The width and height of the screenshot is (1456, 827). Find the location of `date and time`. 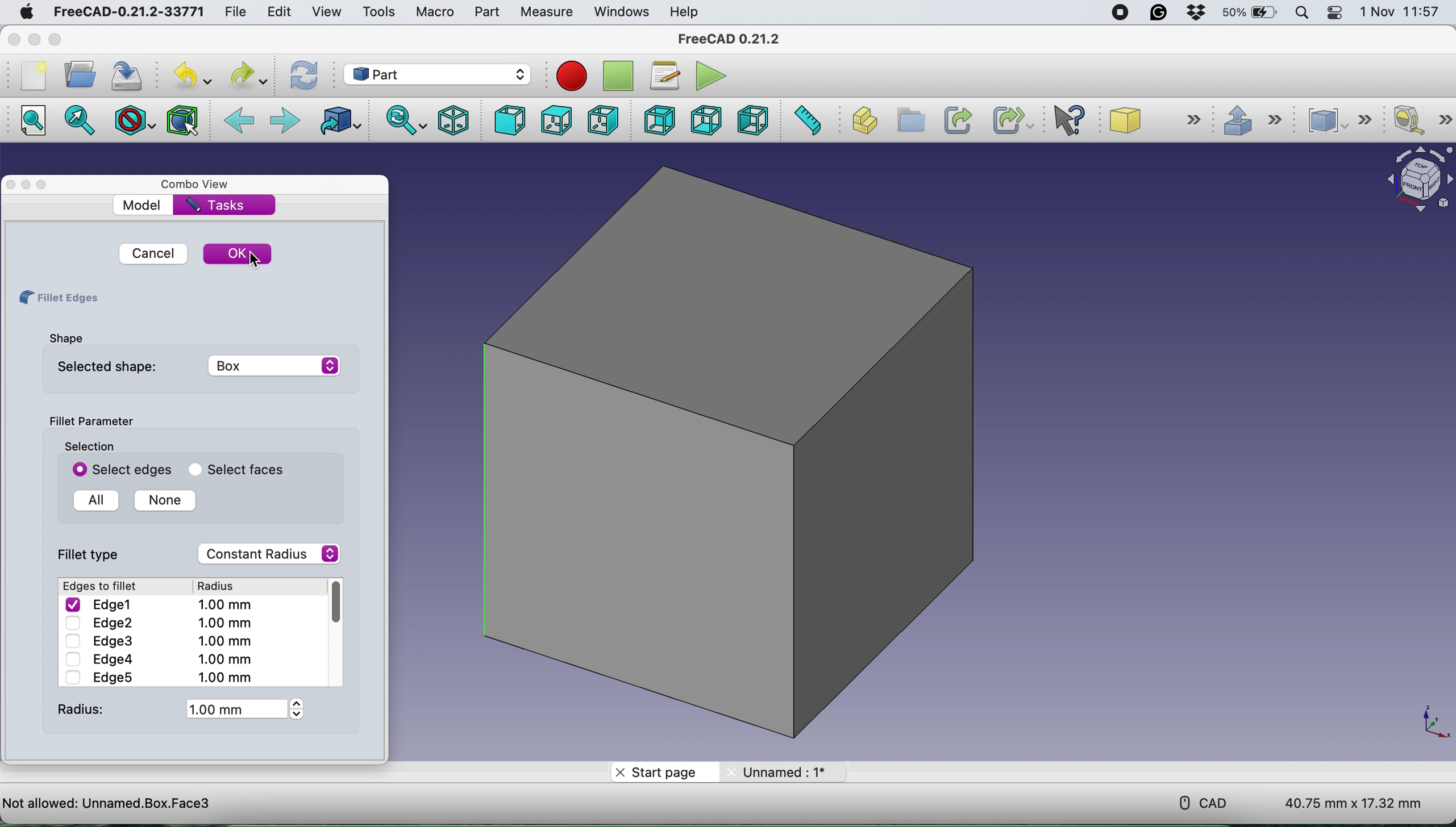

date and time is located at coordinates (1401, 12).